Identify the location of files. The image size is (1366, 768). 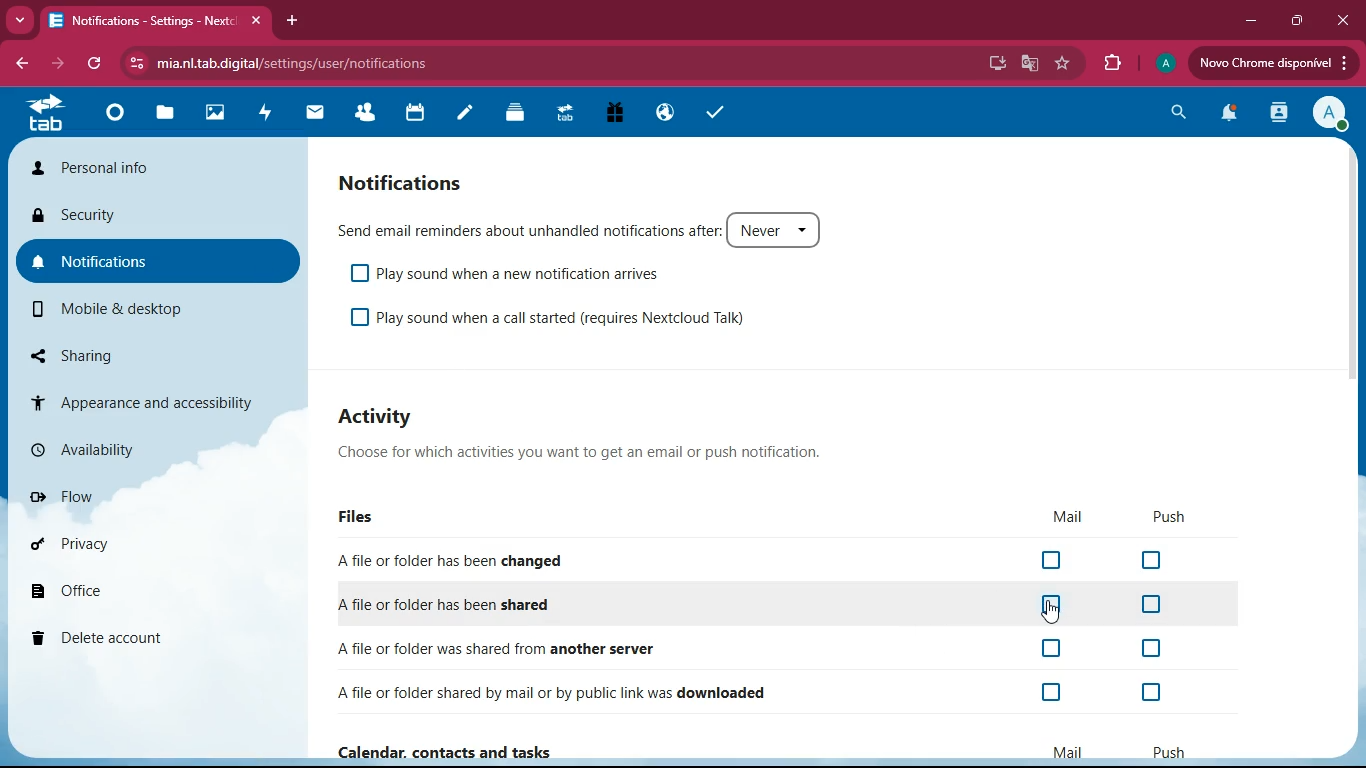
(165, 114).